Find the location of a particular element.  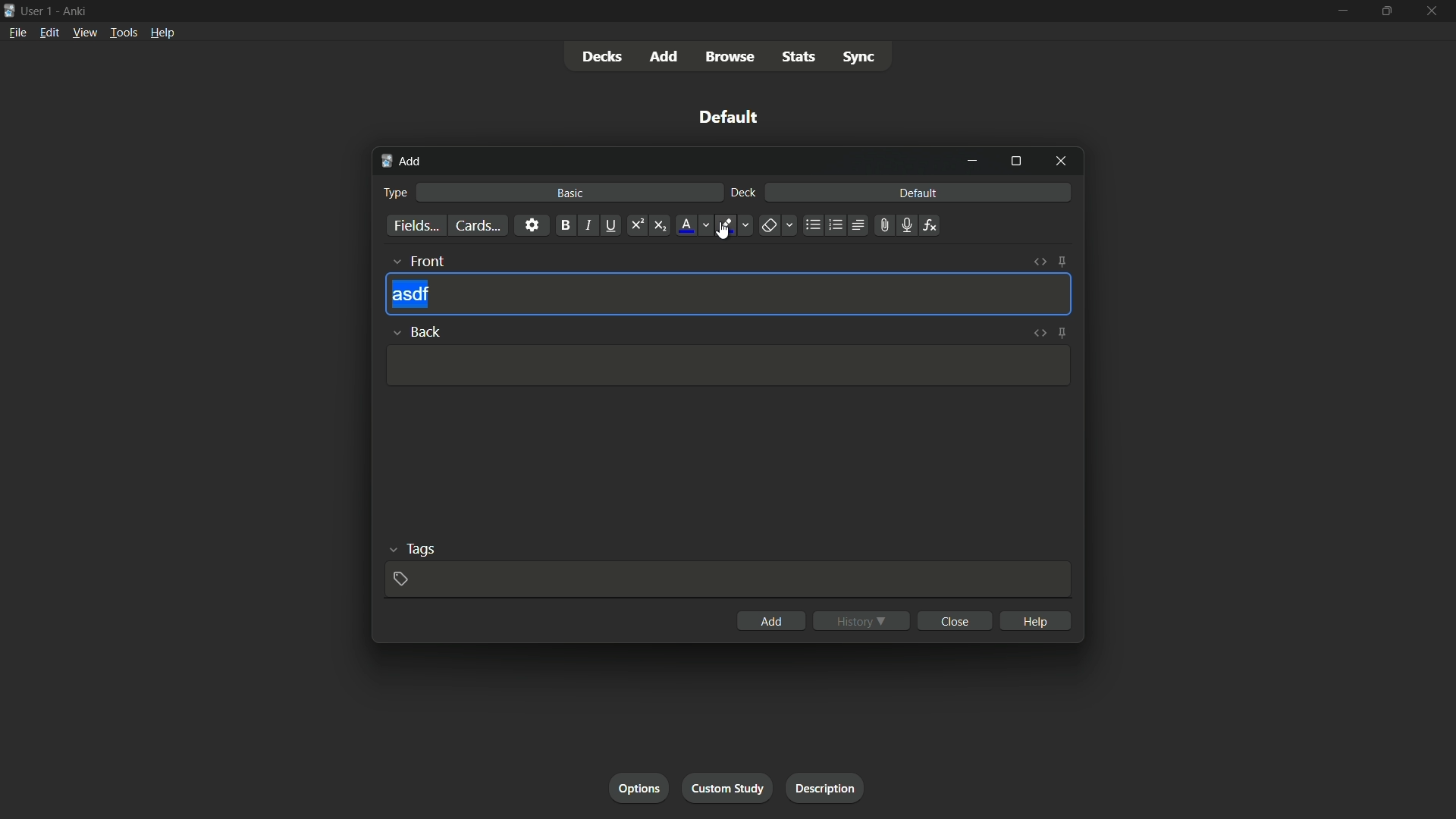

maximize is located at coordinates (1015, 162).